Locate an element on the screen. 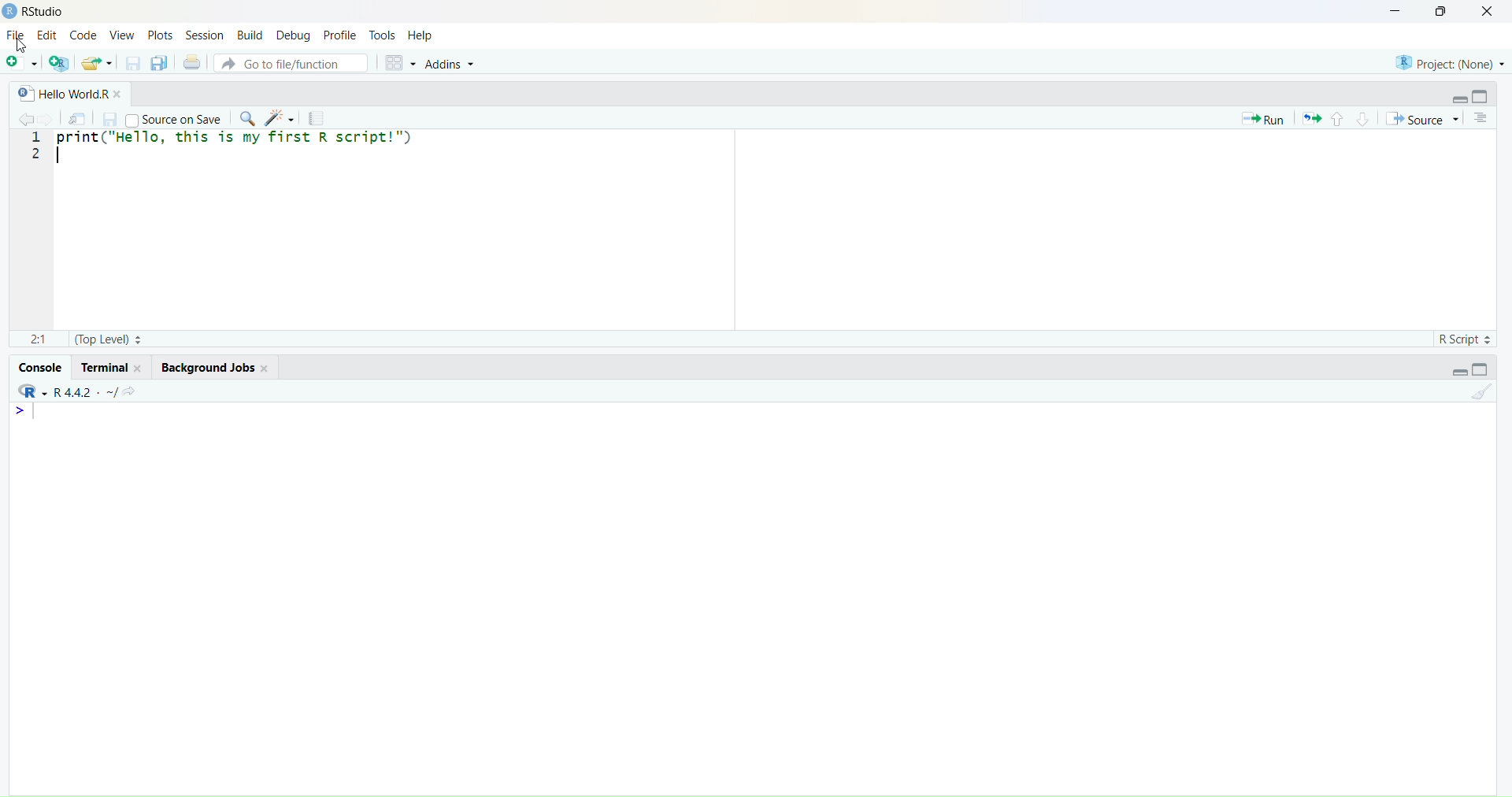 This screenshot has width=1512, height=797. Go forward to the next source location (Ctrl + F10) is located at coordinates (50, 117).